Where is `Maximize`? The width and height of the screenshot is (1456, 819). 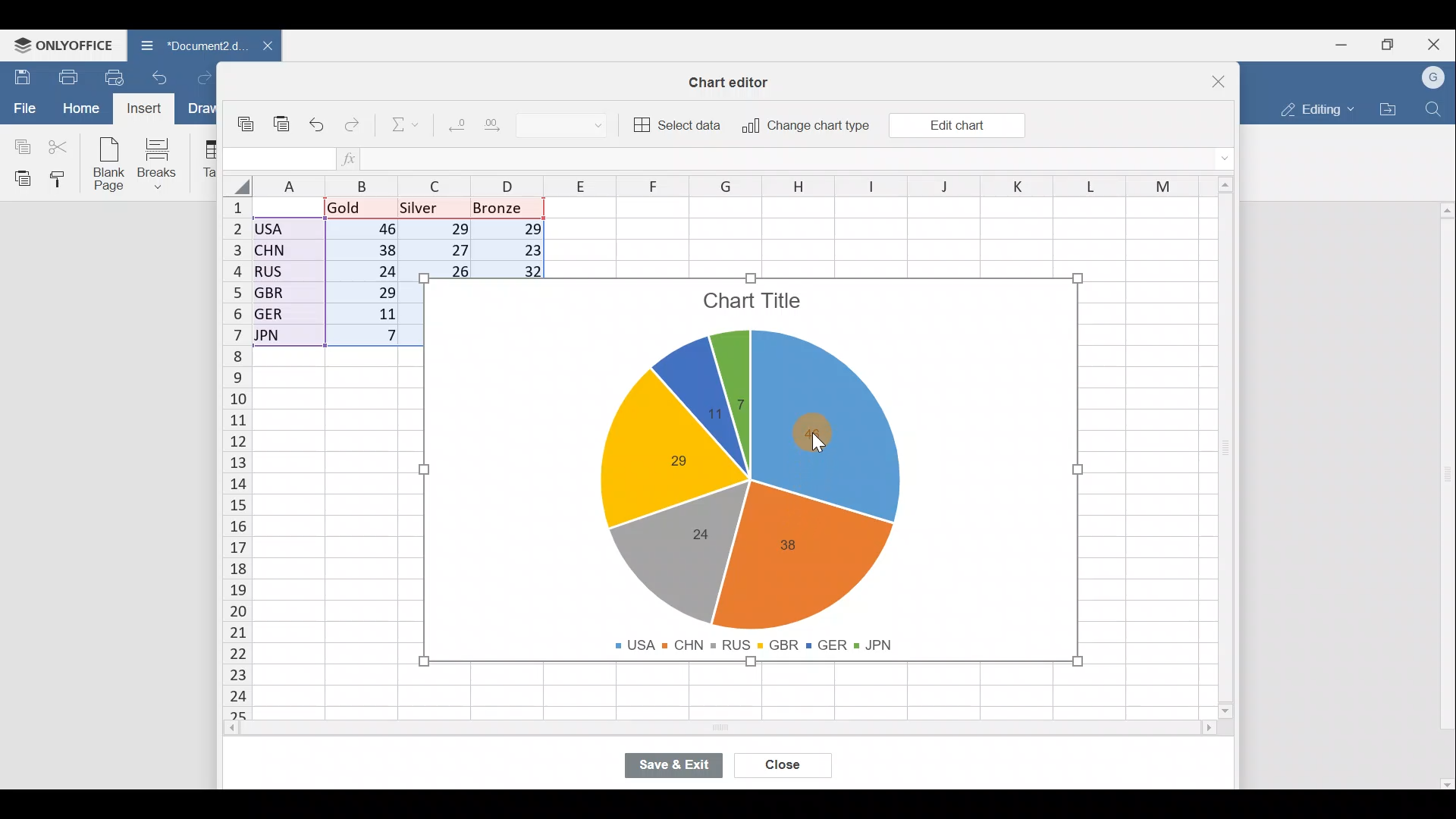
Maximize is located at coordinates (1394, 43).